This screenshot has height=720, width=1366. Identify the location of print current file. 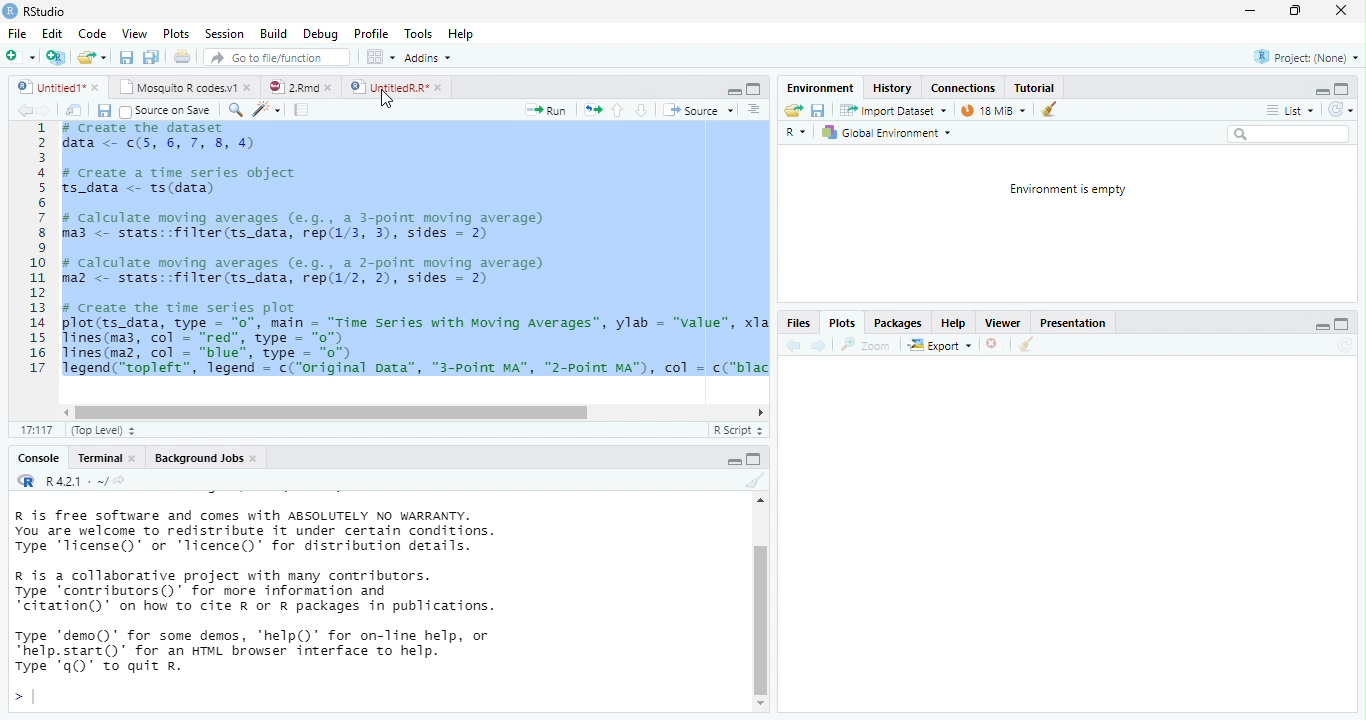
(183, 56).